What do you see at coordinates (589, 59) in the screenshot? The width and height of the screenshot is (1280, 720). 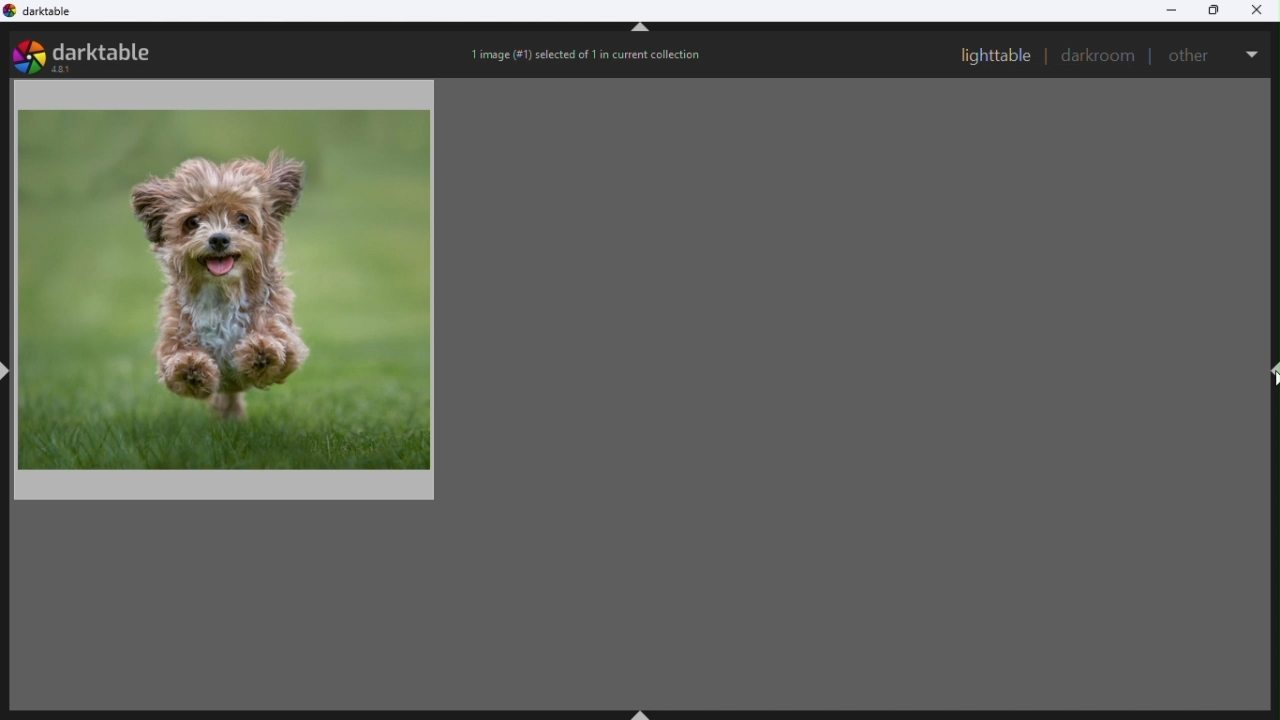 I see `Image selection status` at bounding box center [589, 59].